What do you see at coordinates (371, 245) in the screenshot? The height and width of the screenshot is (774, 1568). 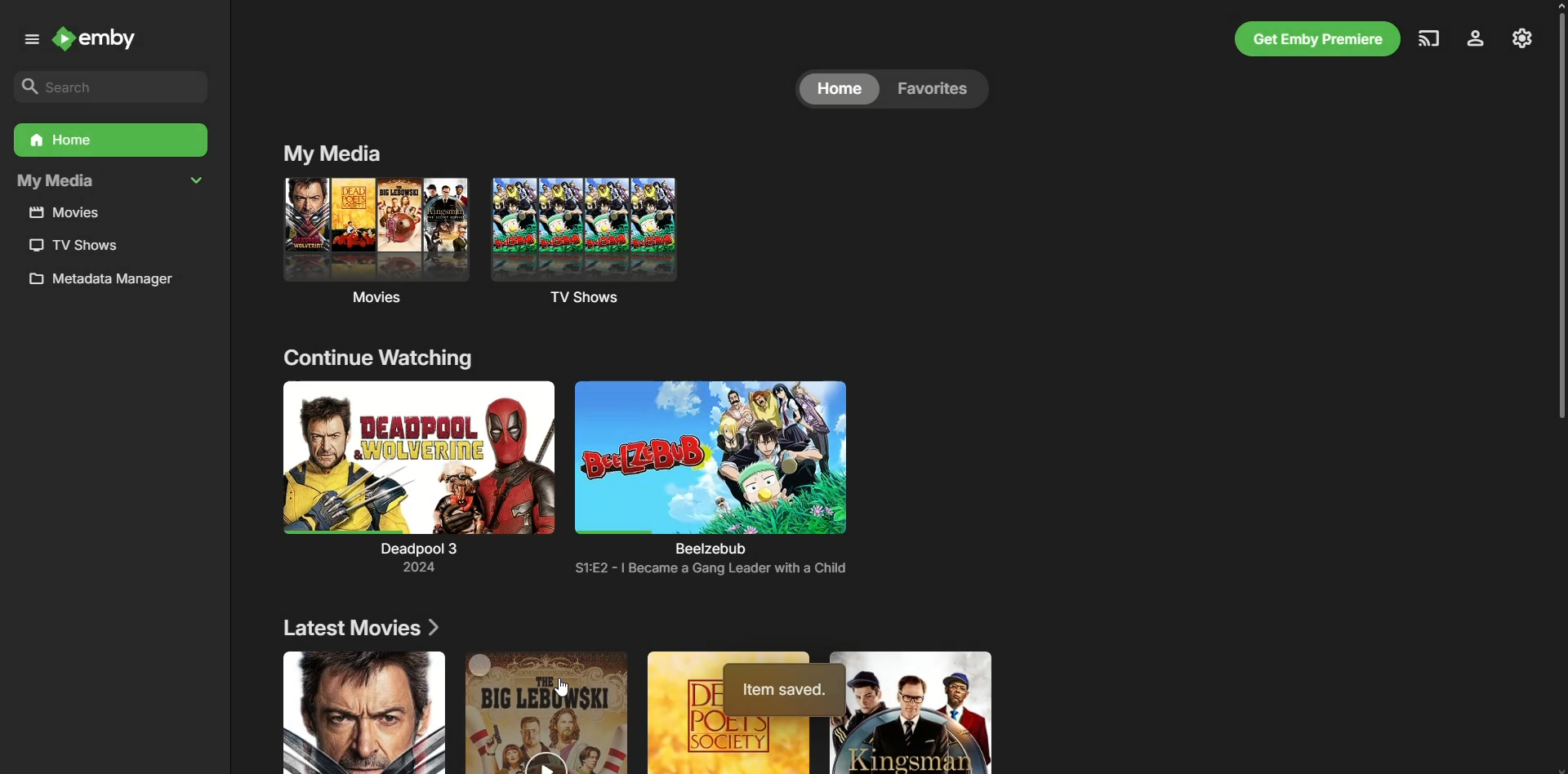 I see `Movies` at bounding box center [371, 245].